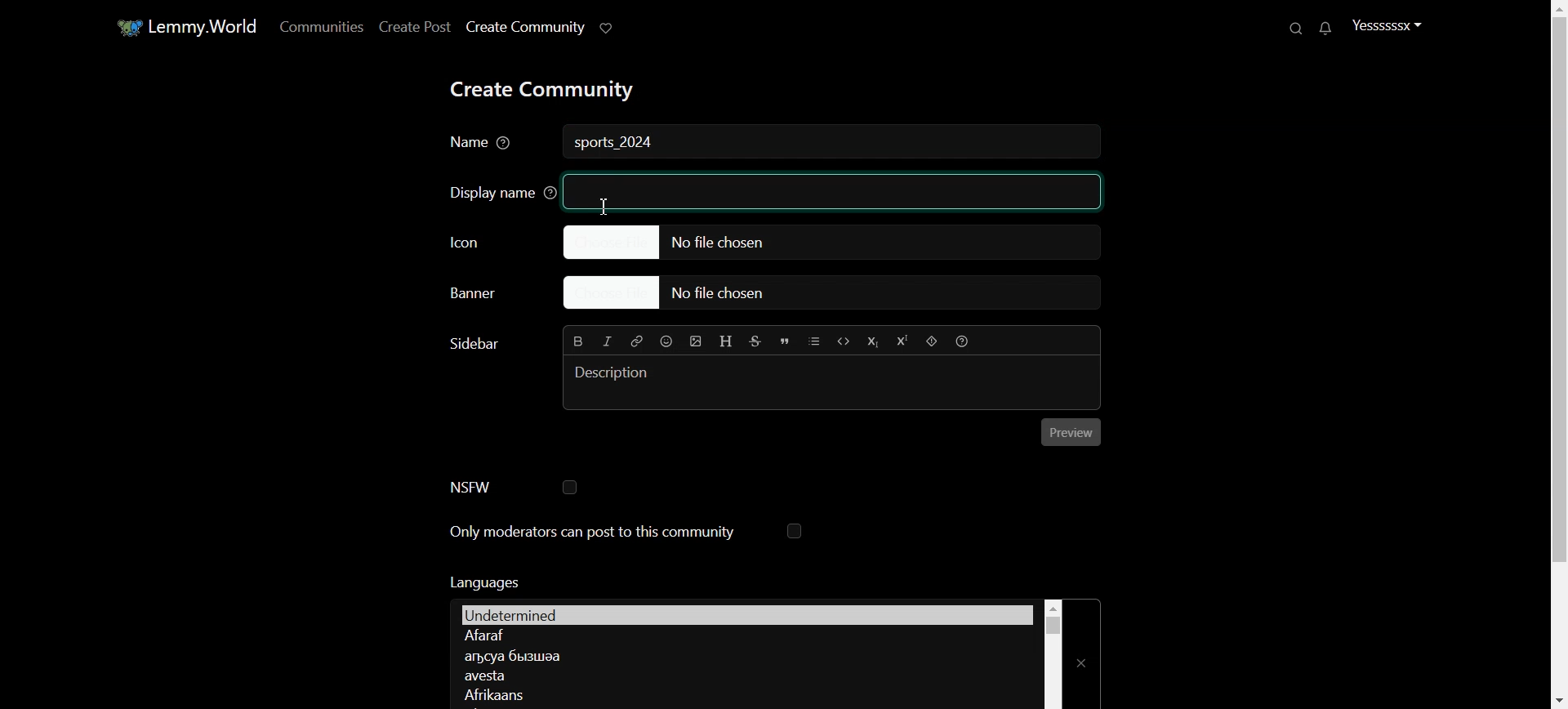 The width and height of the screenshot is (1568, 709). What do you see at coordinates (727, 342) in the screenshot?
I see `Header` at bounding box center [727, 342].